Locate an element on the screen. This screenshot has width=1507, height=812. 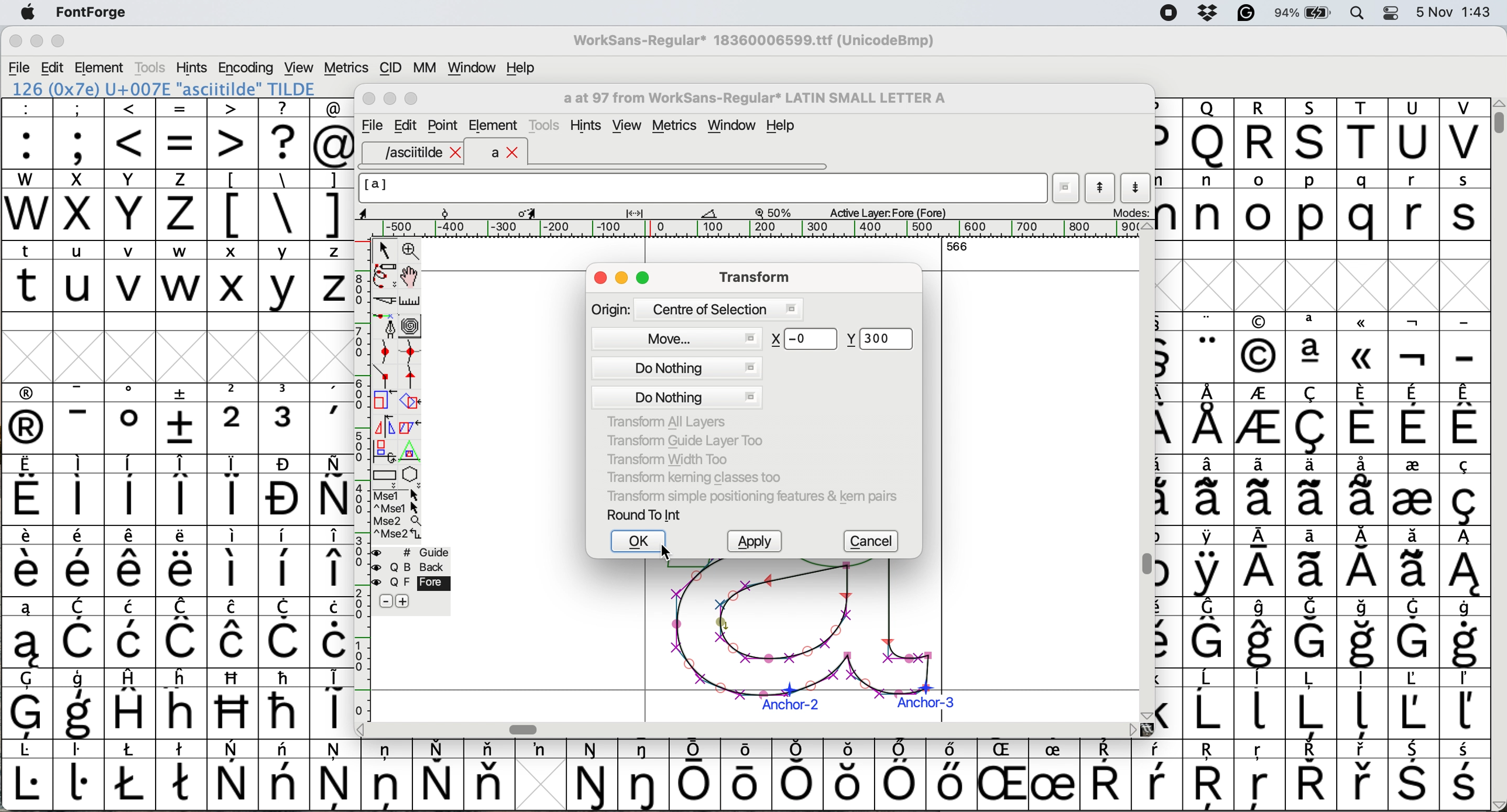
control center is located at coordinates (1395, 12).